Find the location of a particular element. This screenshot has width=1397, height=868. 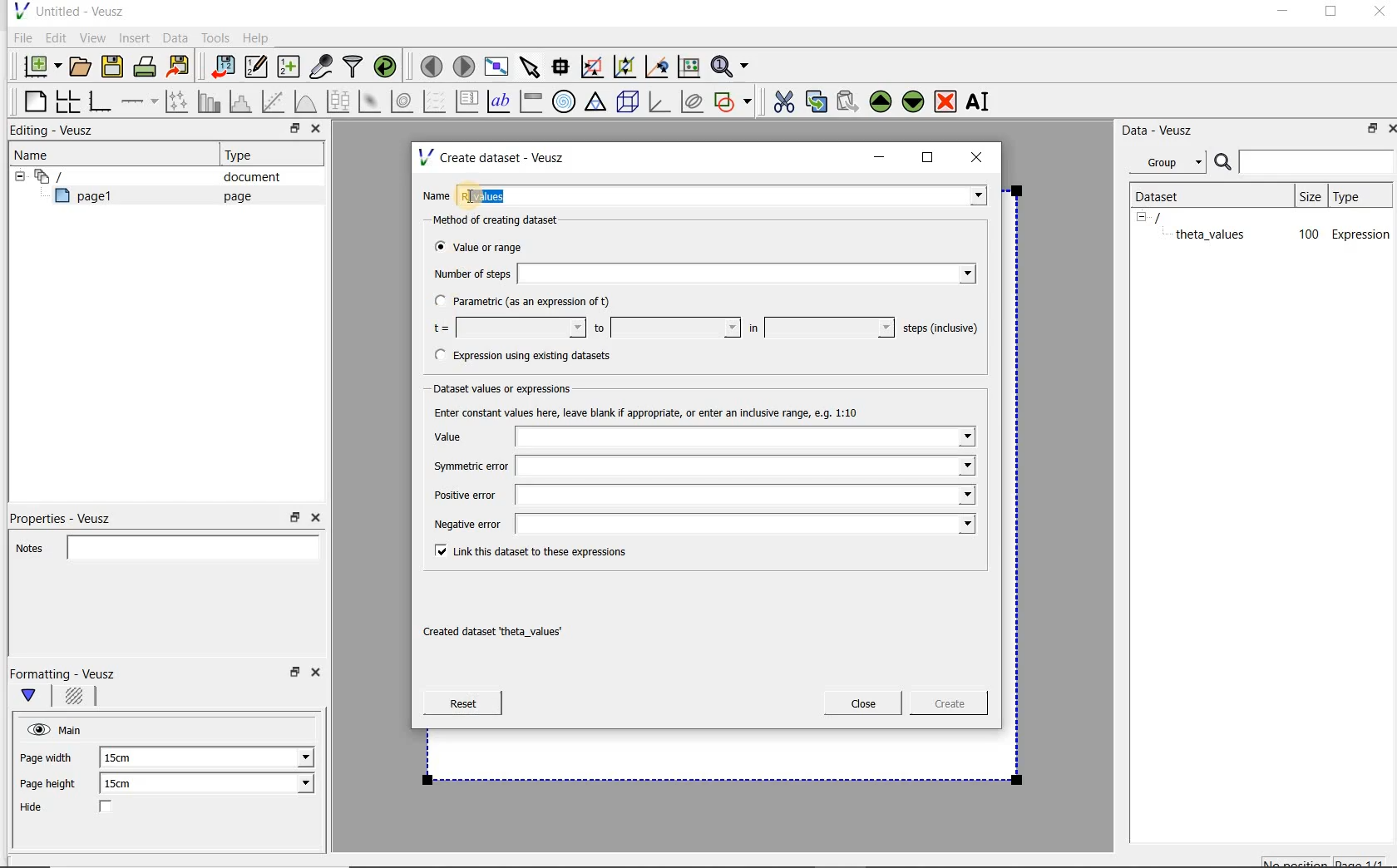

/document name is located at coordinates (1172, 216).